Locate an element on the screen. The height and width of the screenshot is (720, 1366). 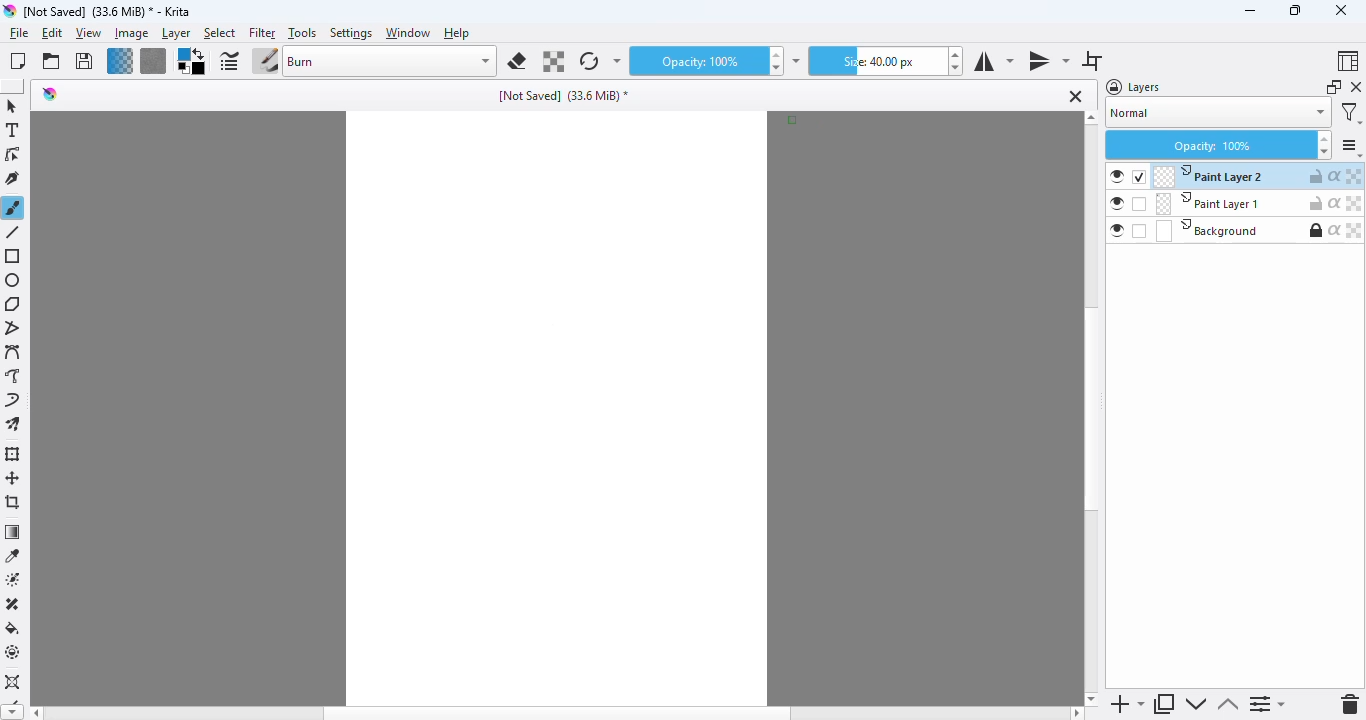
size is located at coordinates (876, 61).